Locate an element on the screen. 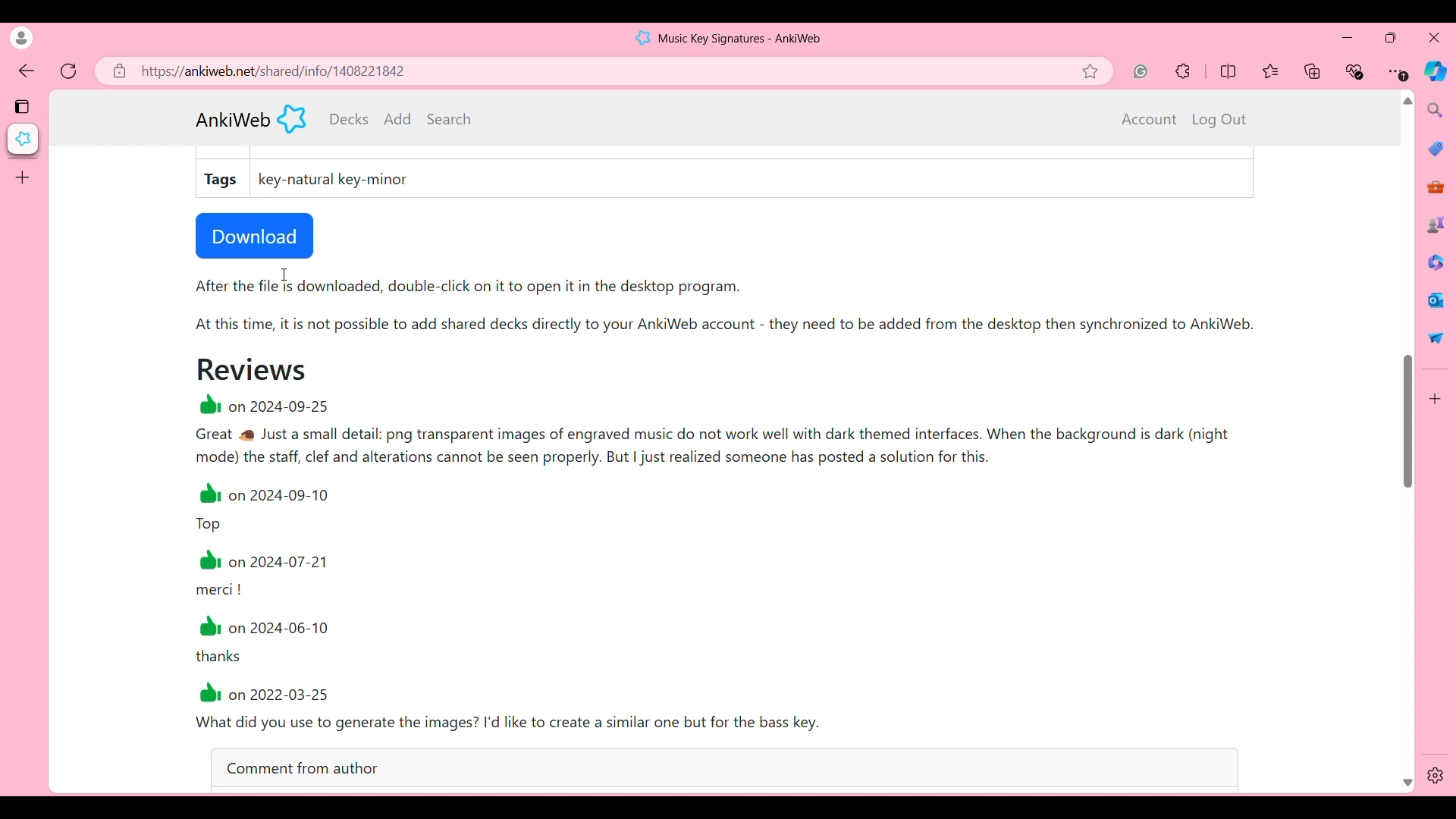  Software logo is located at coordinates (643, 38).